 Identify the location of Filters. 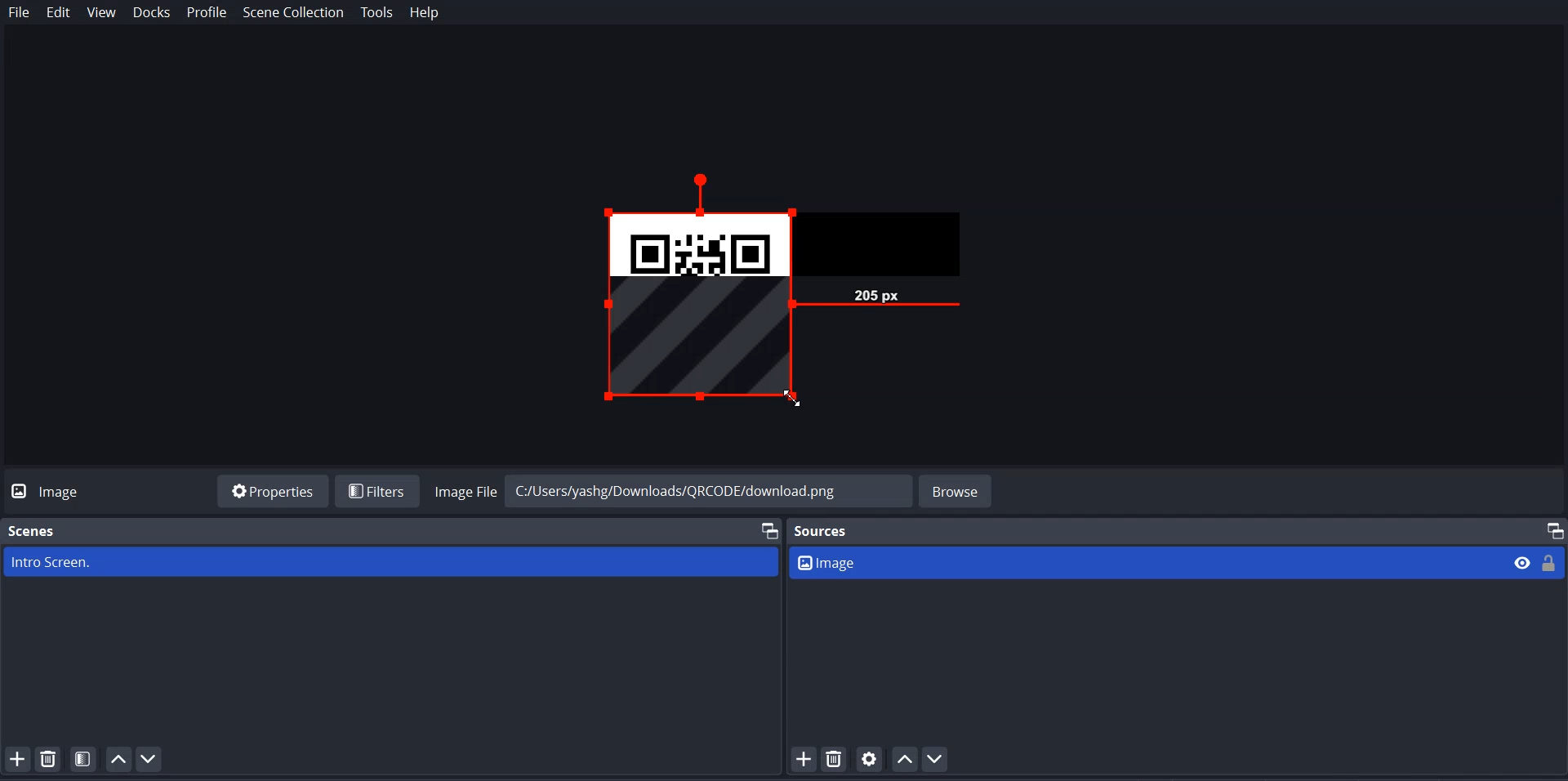
(376, 490).